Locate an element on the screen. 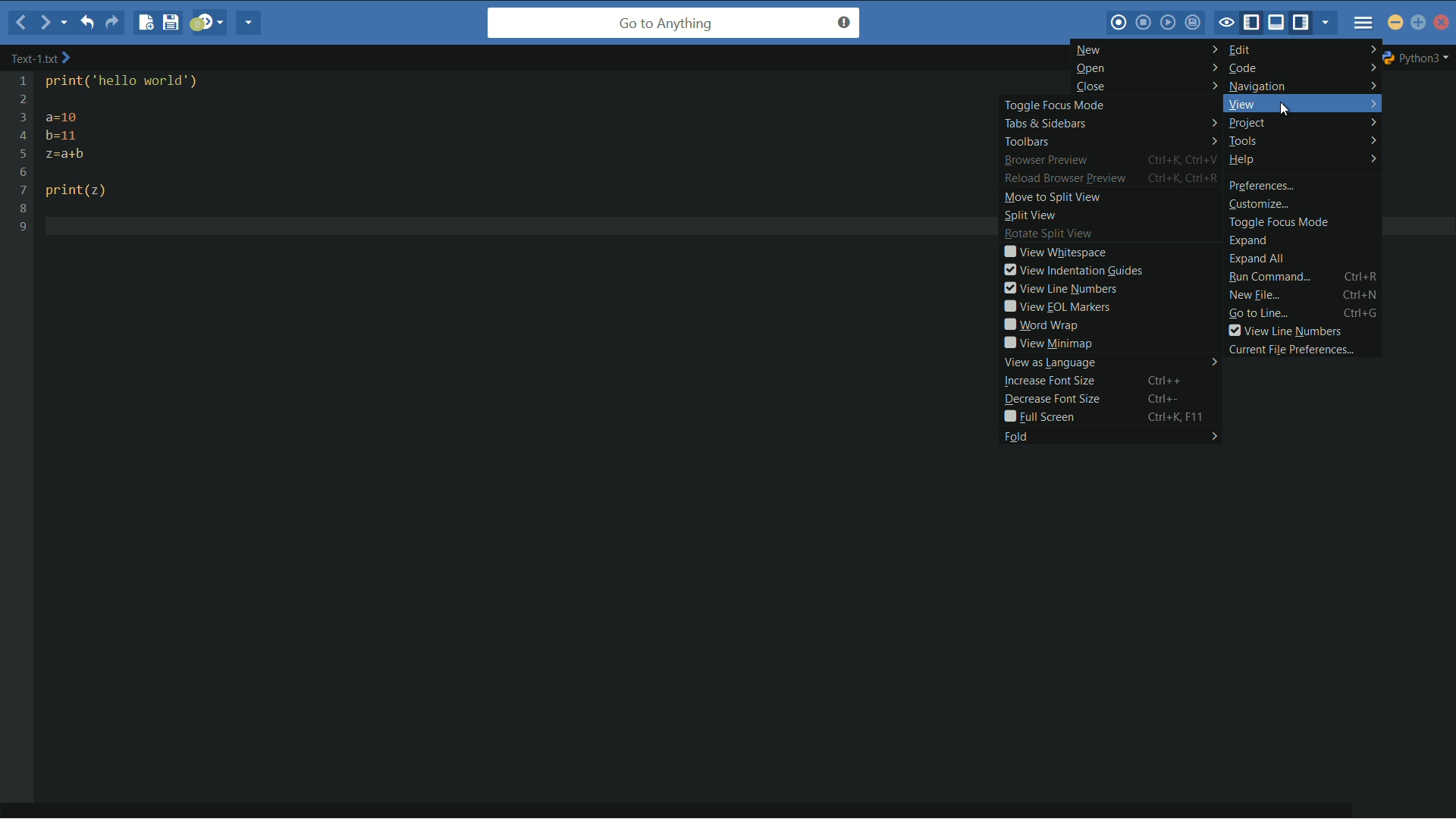 The height and width of the screenshot is (819, 1456). Ctrl+K, F11 is located at coordinates (1181, 416).